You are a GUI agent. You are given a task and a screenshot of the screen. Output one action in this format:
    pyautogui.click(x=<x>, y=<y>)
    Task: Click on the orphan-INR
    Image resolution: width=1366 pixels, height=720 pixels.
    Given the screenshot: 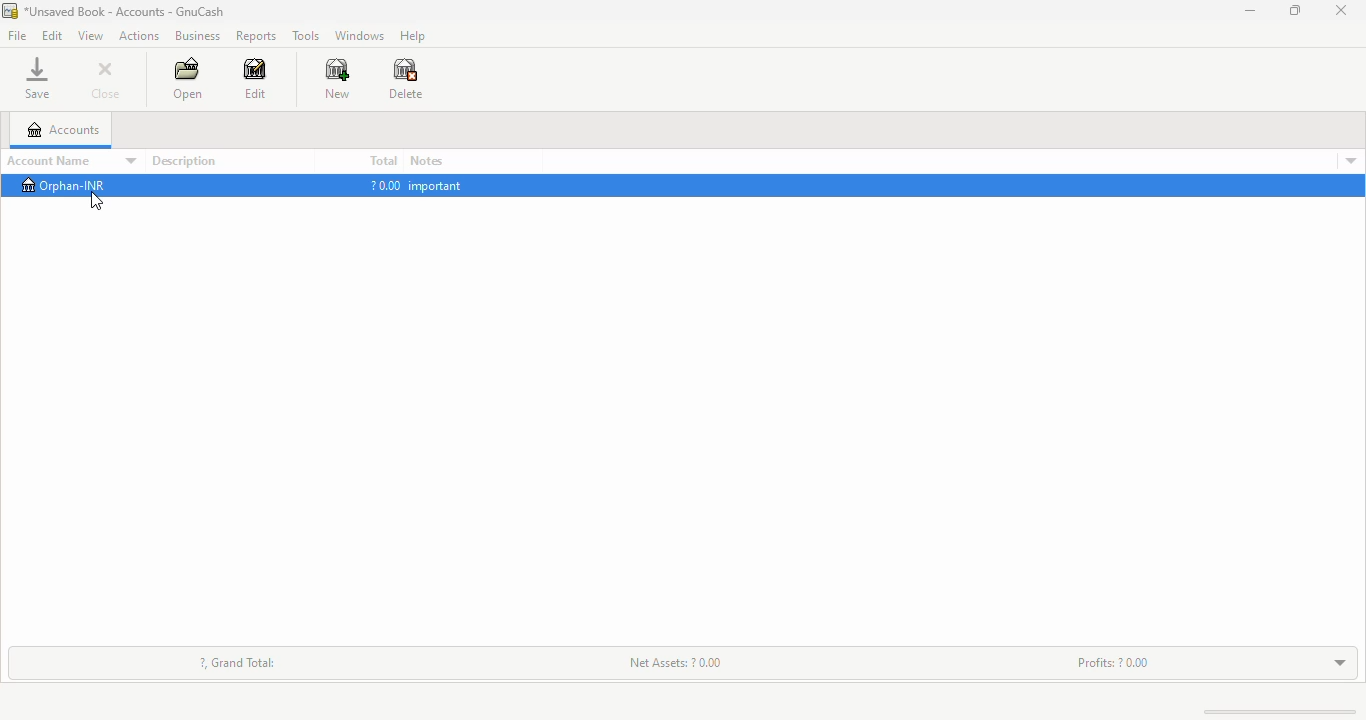 What is the action you would take?
    pyautogui.click(x=61, y=185)
    